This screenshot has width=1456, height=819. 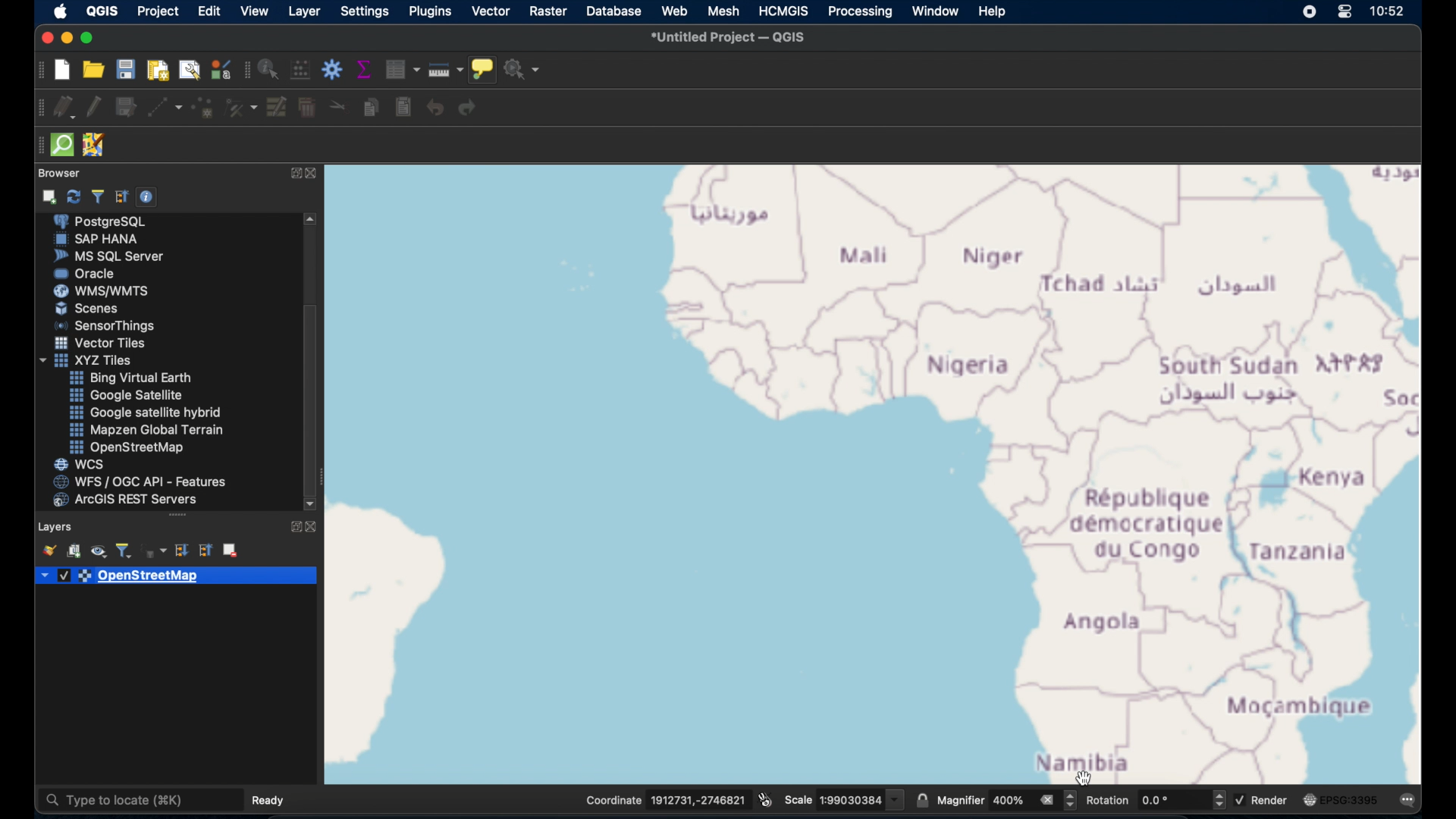 What do you see at coordinates (402, 109) in the screenshot?
I see `paste features` at bounding box center [402, 109].